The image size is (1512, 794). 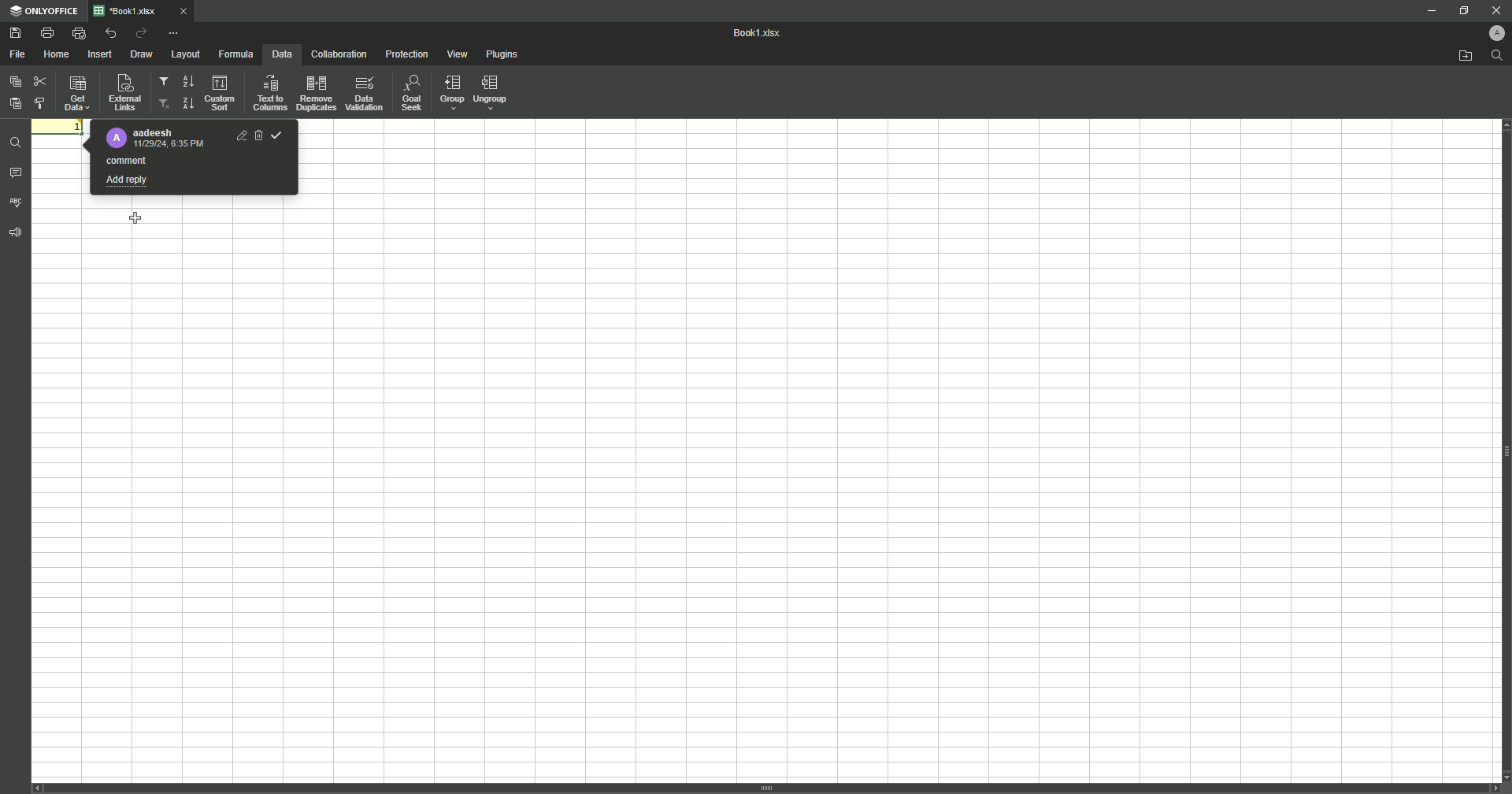 I want to click on Find, so click(x=17, y=141).